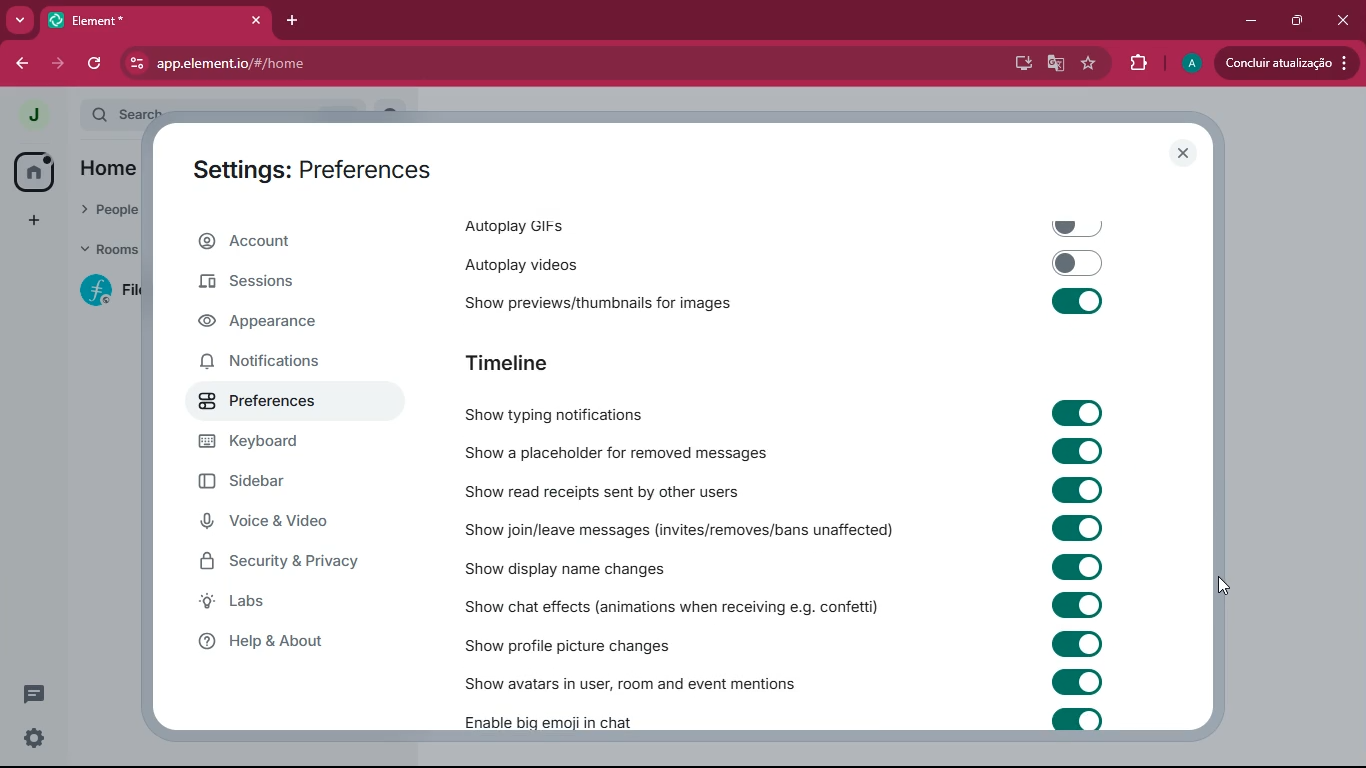 This screenshot has height=768, width=1366. What do you see at coordinates (279, 403) in the screenshot?
I see `preferences` at bounding box center [279, 403].